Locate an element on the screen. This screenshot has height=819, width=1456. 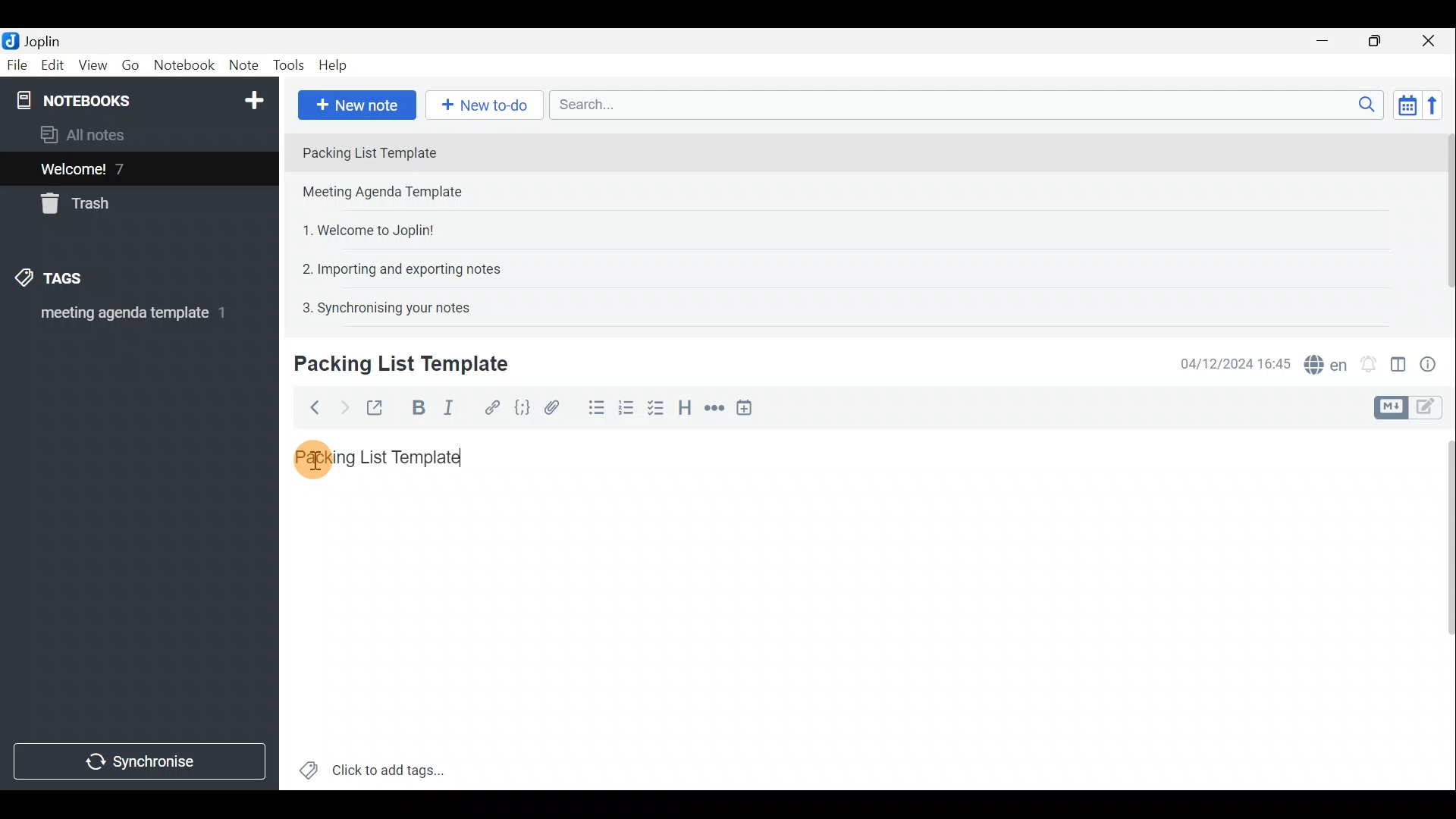
Note properties is located at coordinates (1433, 362).